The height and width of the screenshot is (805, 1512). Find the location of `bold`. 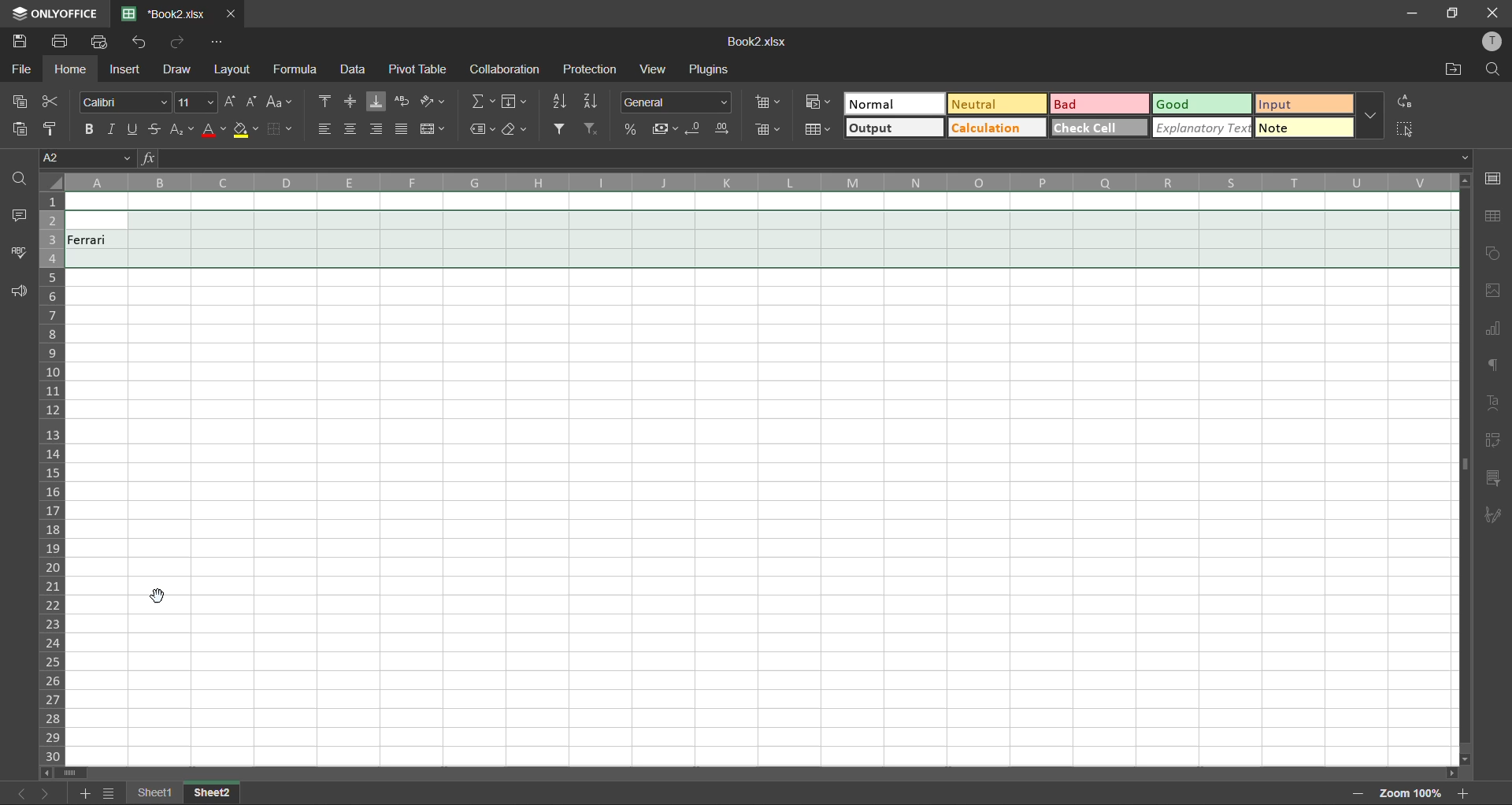

bold is located at coordinates (90, 128).